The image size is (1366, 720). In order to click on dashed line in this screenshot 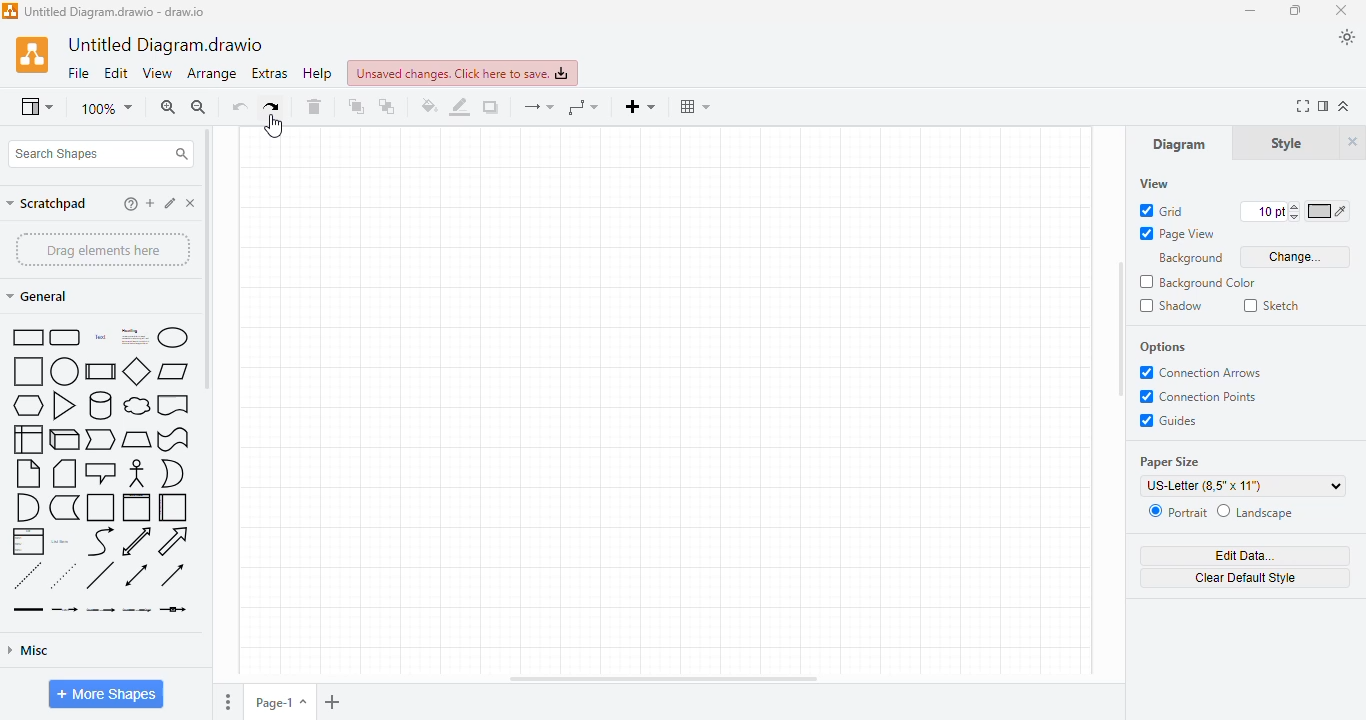, I will do `click(28, 575)`.